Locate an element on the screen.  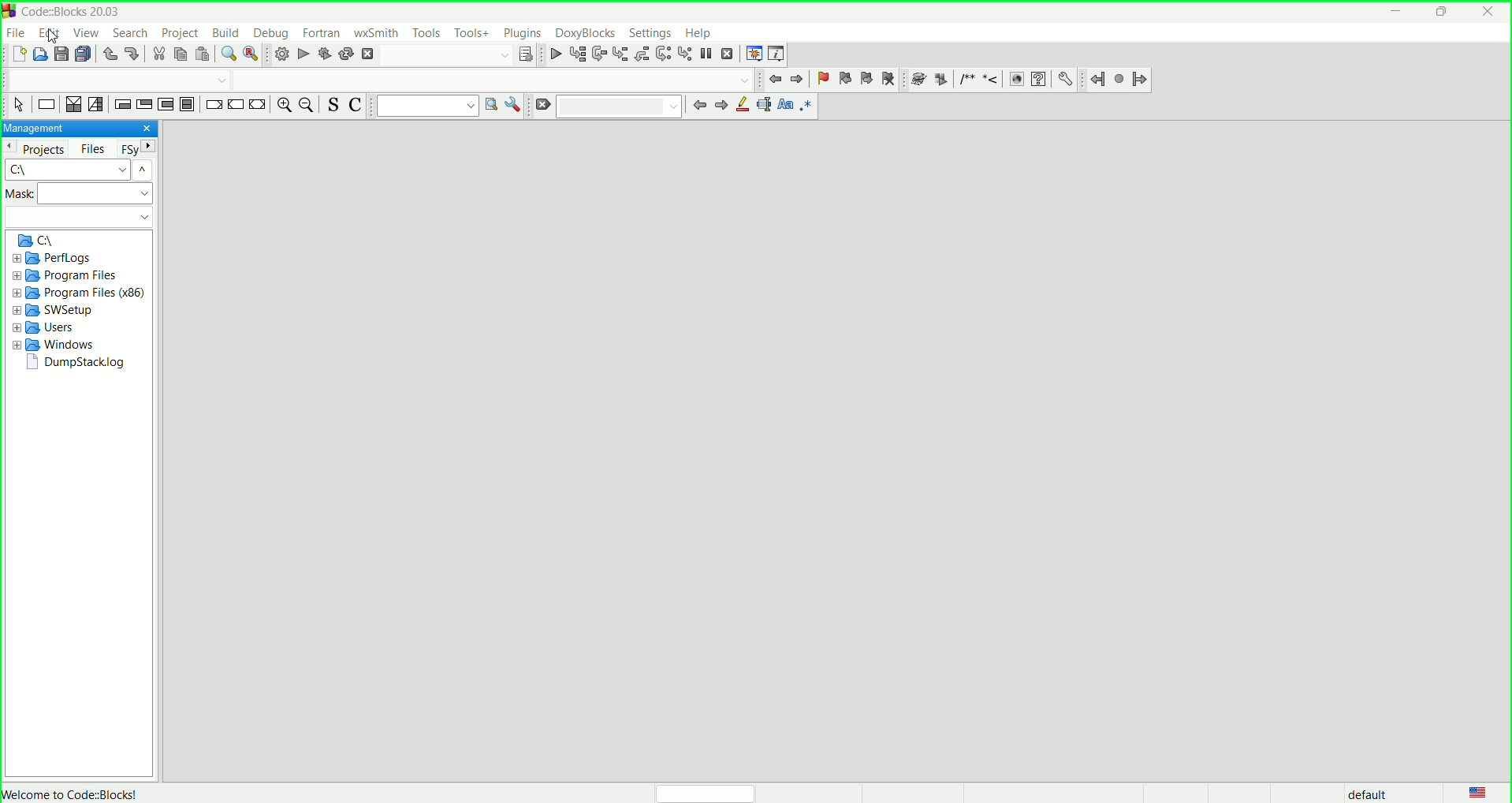
Doxyblocks is located at coordinates (583, 32).